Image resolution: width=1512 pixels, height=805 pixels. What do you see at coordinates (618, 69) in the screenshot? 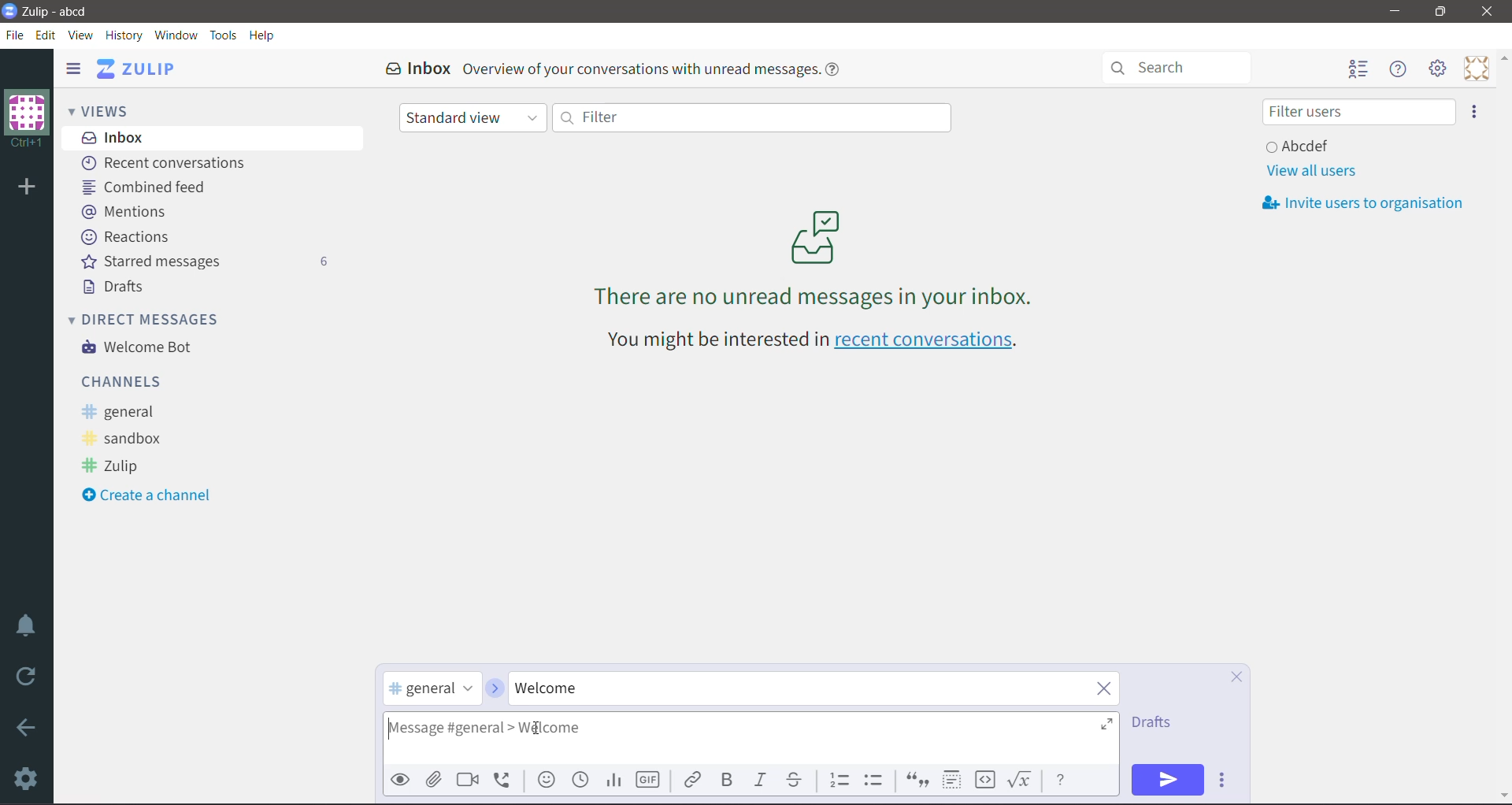
I see `Inbox Overview of your conversations with unread messages` at bounding box center [618, 69].